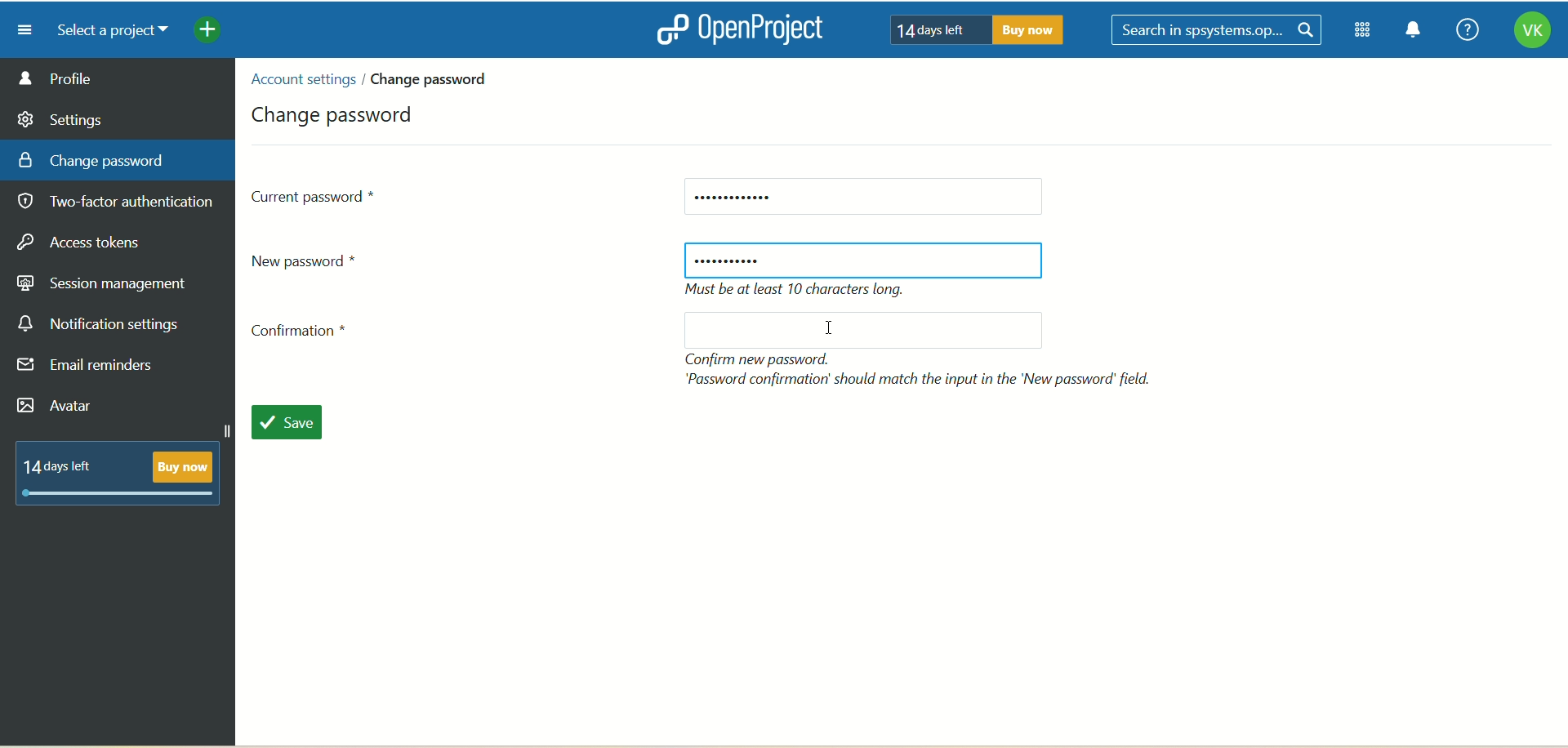 The width and height of the screenshot is (1568, 748). I want to click on module, so click(1365, 30).